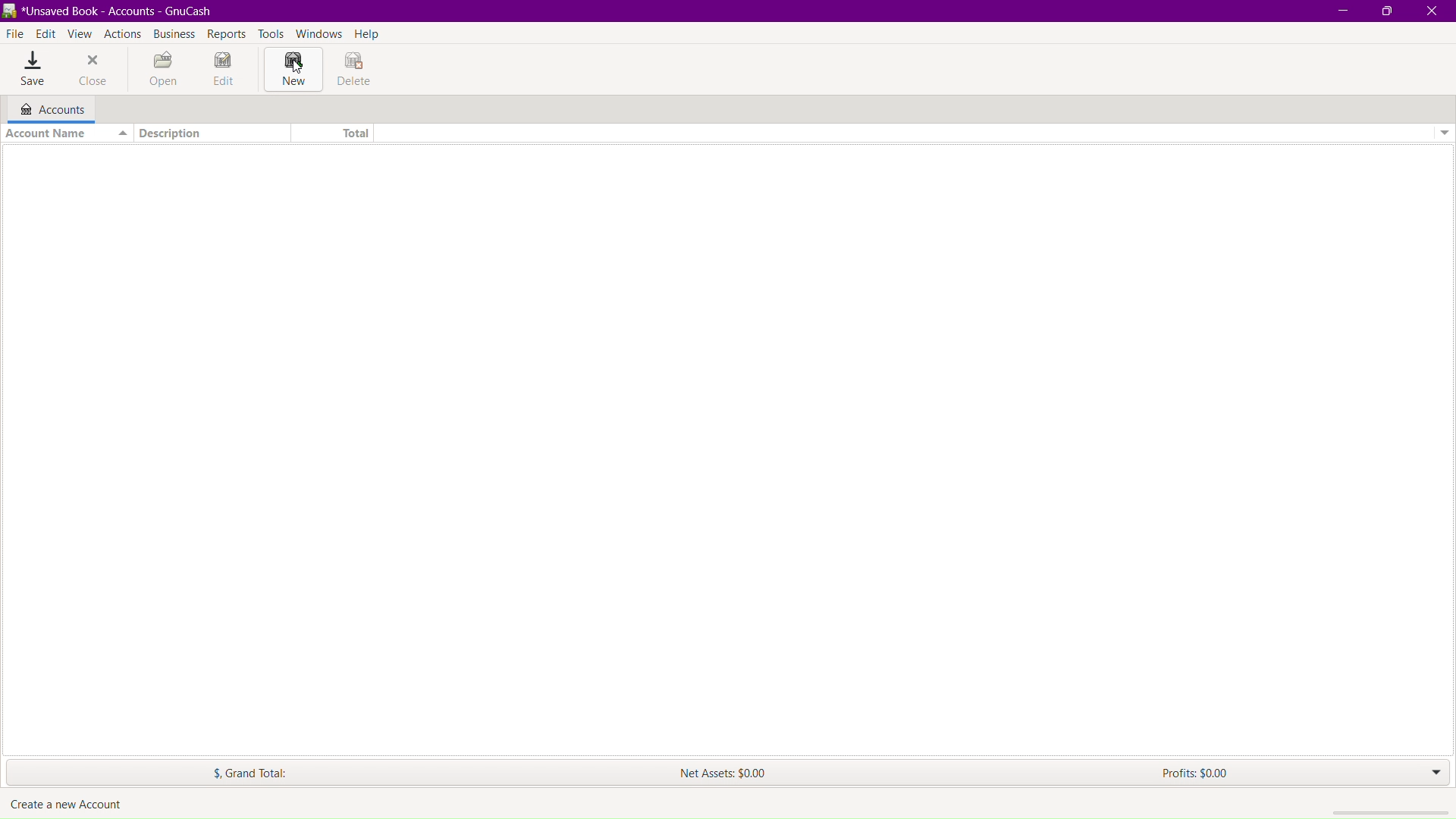  What do you see at coordinates (726, 774) in the screenshot?
I see `Net Assets: $0.00` at bounding box center [726, 774].